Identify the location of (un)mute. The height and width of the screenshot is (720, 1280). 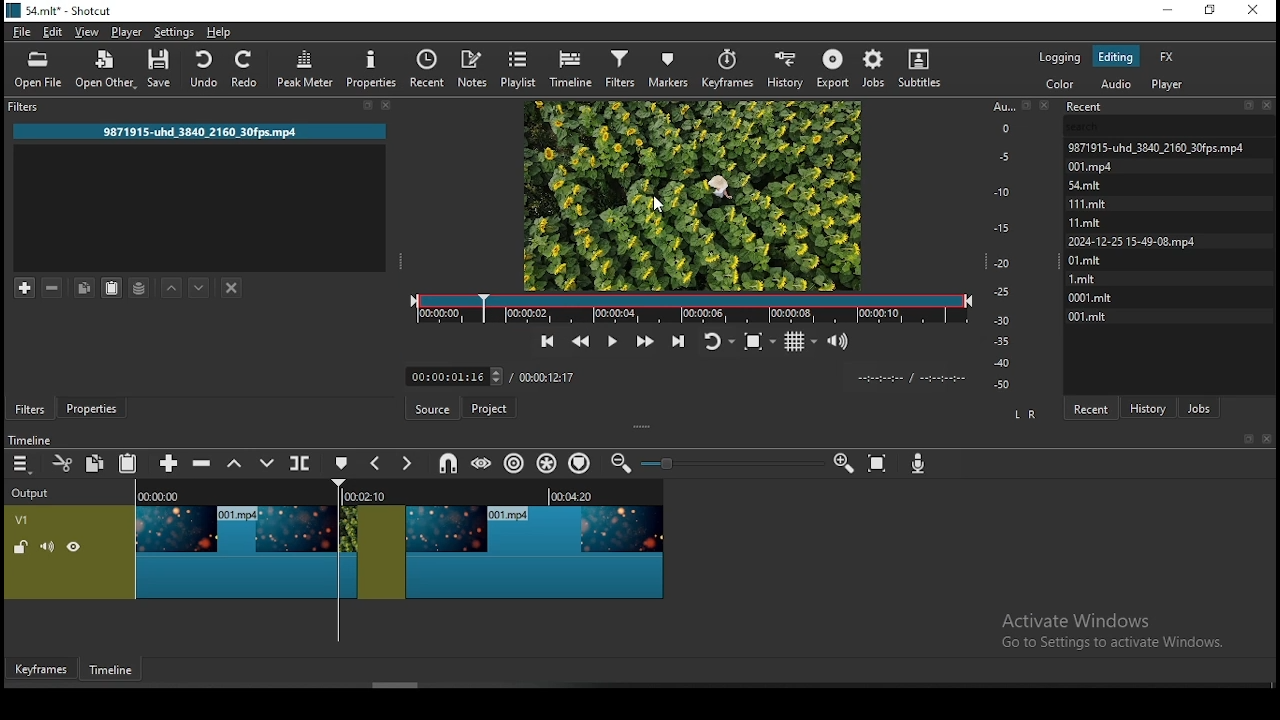
(47, 546).